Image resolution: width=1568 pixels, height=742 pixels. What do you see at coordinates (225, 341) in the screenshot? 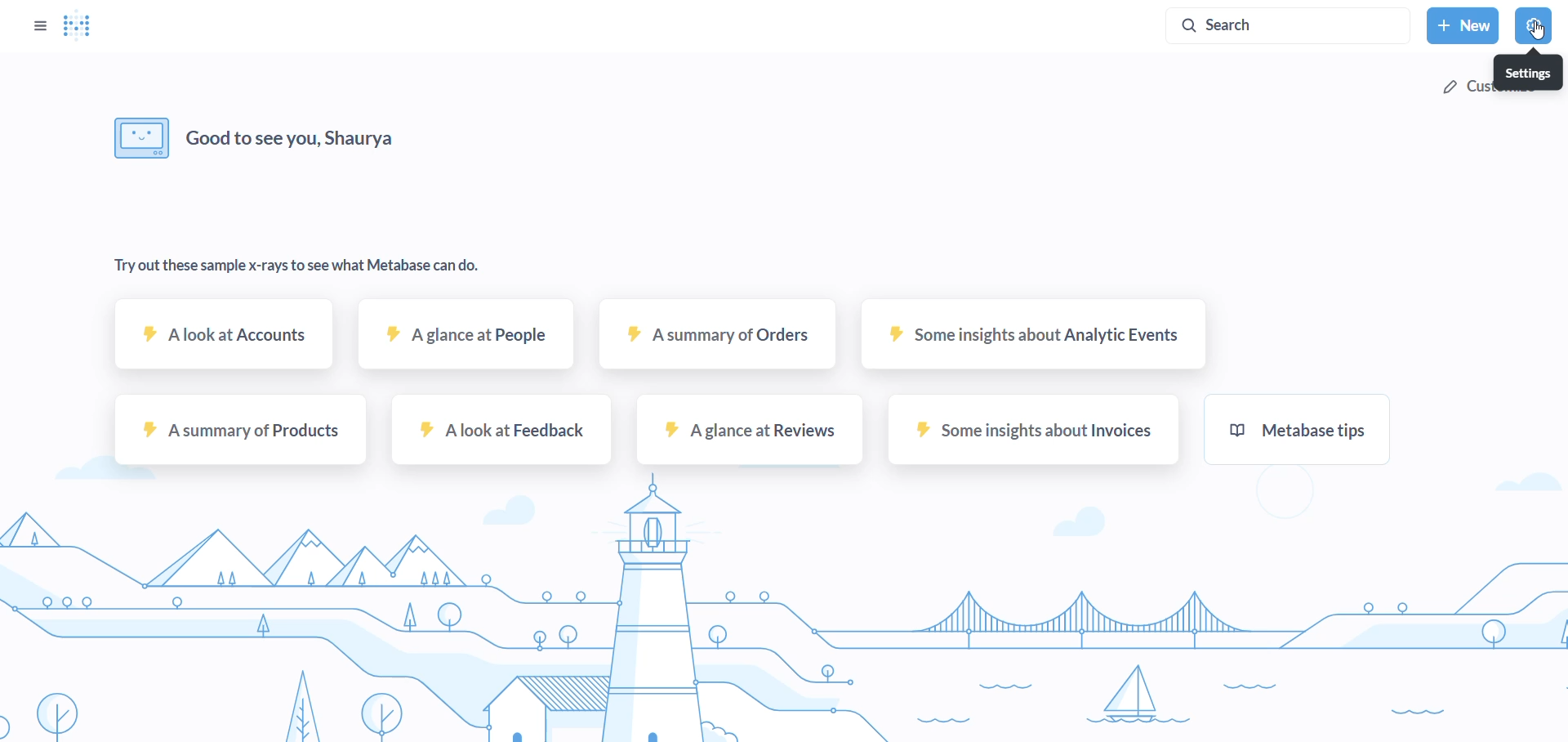
I see `A look at accounts sample` at bounding box center [225, 341].